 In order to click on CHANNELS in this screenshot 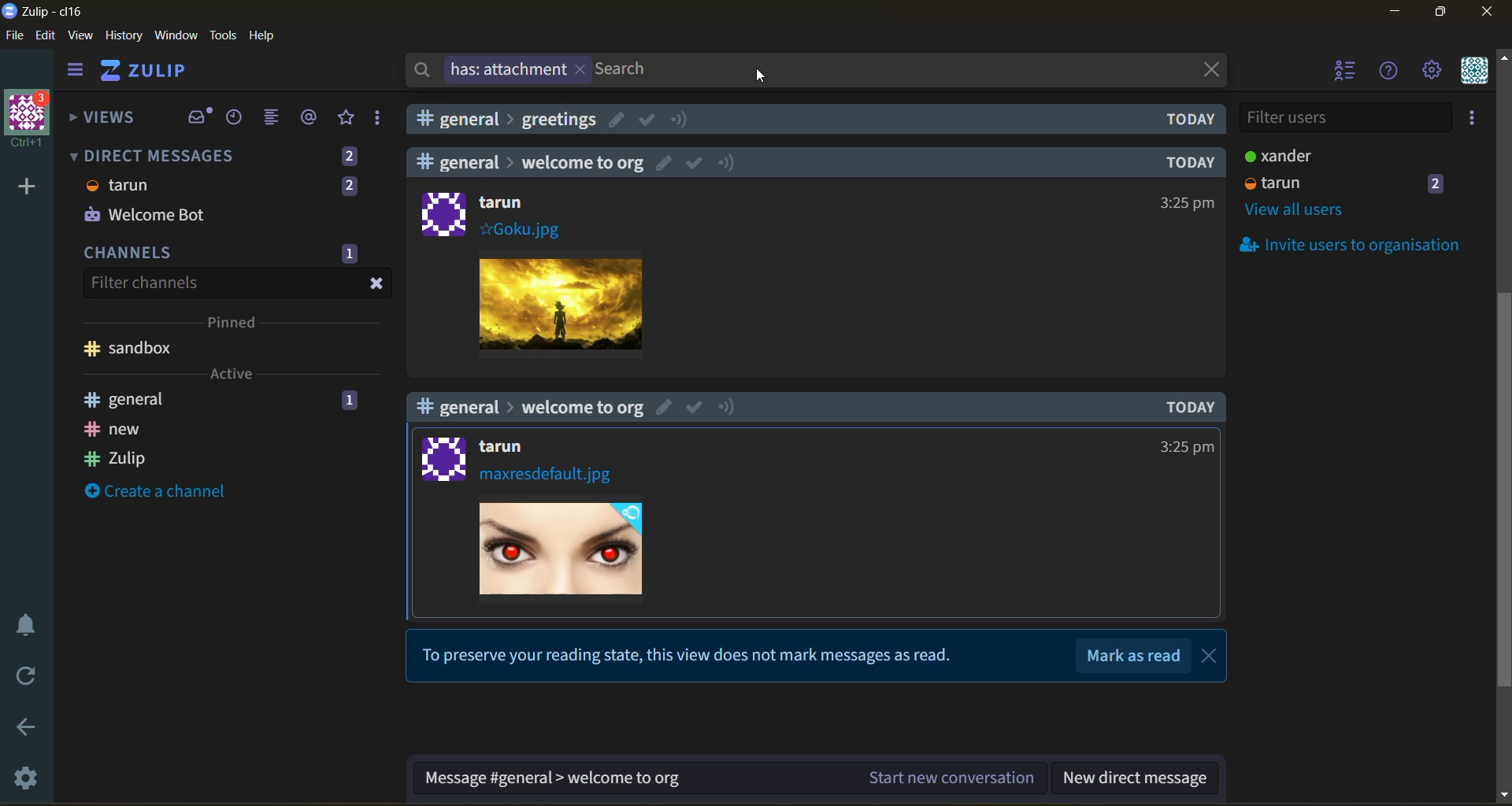, I will do `click(131, 255)`.